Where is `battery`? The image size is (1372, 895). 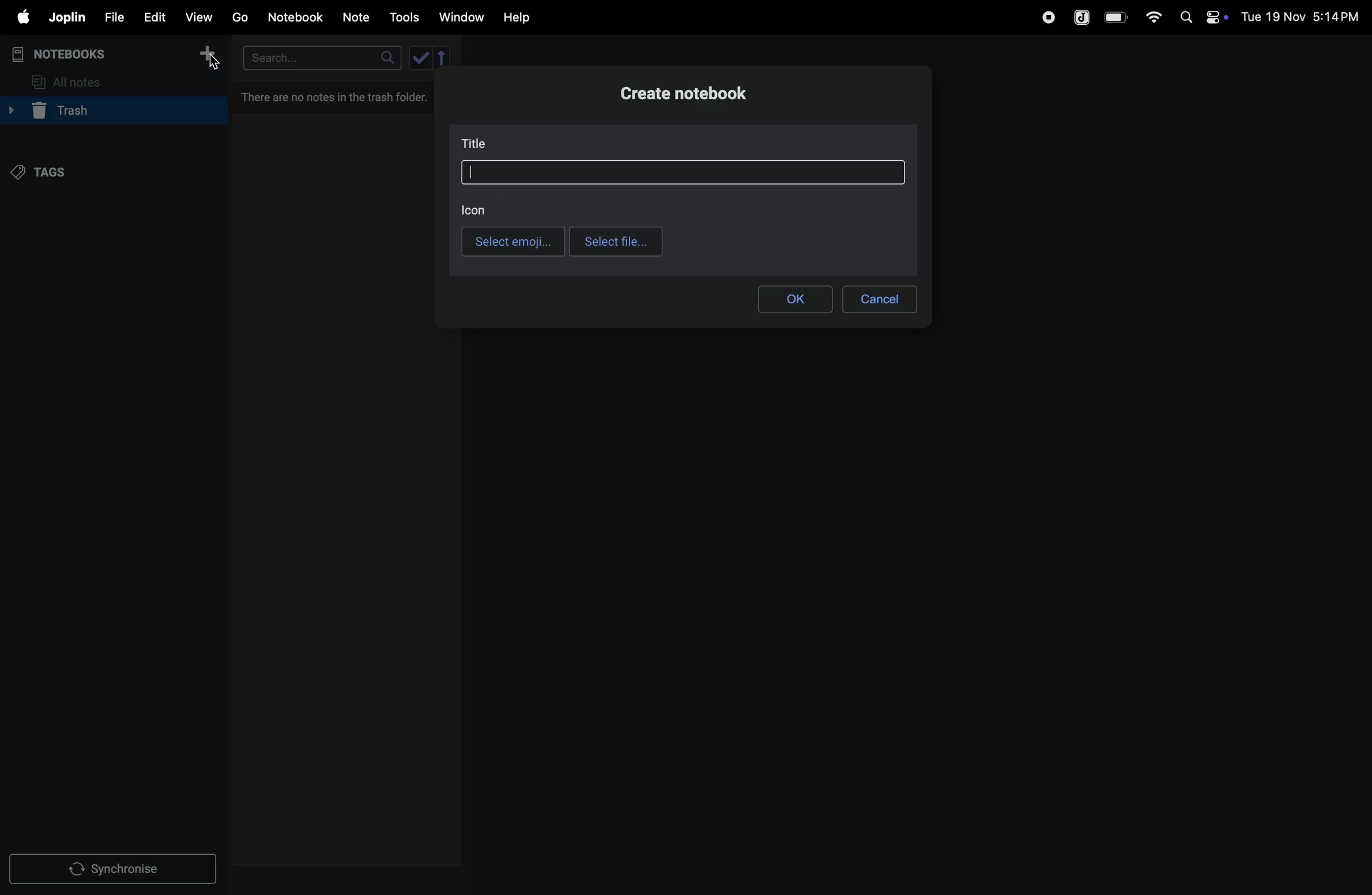 battery is located at coordinates (1117, 17).